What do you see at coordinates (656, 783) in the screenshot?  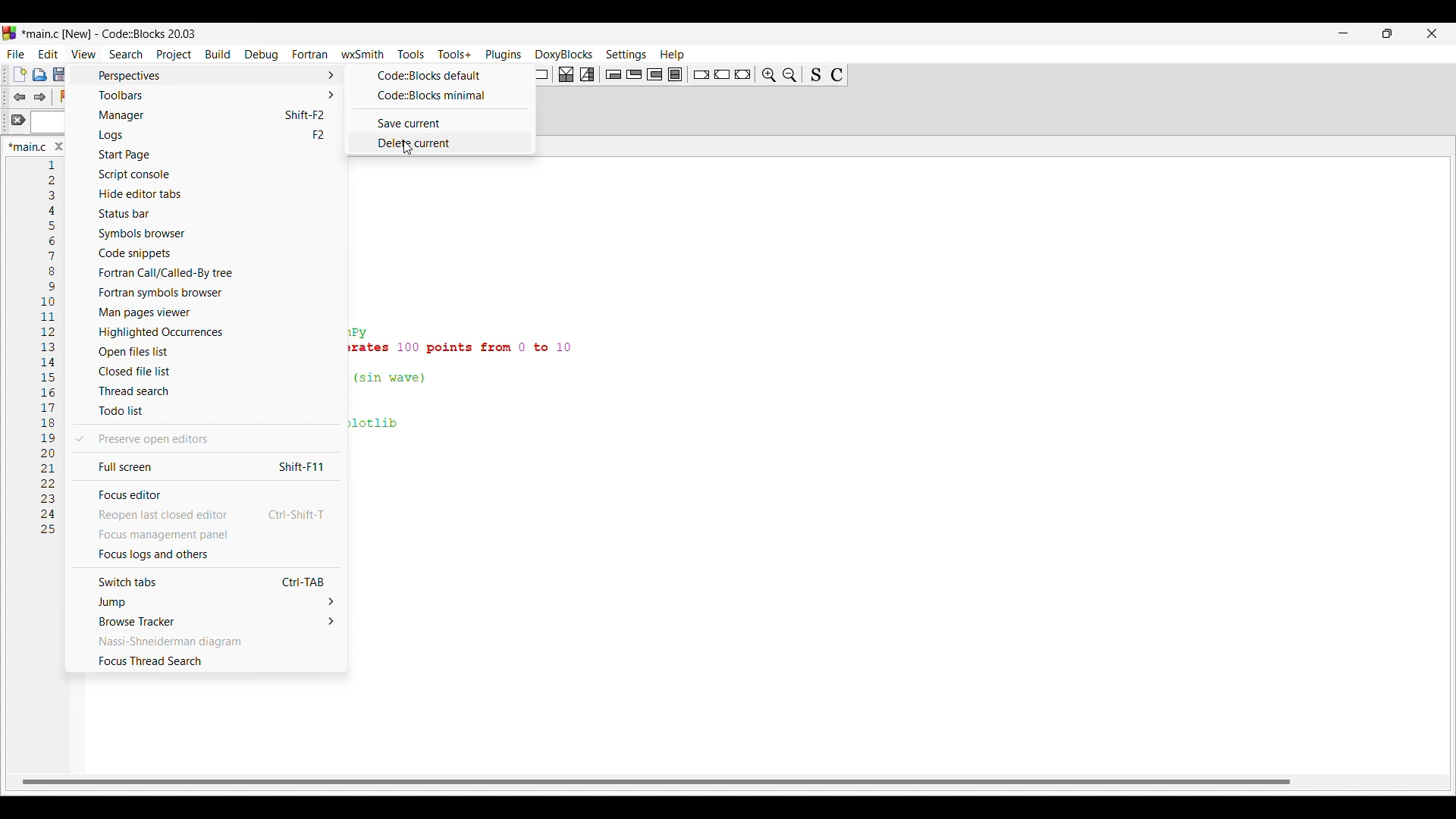 I see `Horizontal slide bar` at bounding box center [656, 783].